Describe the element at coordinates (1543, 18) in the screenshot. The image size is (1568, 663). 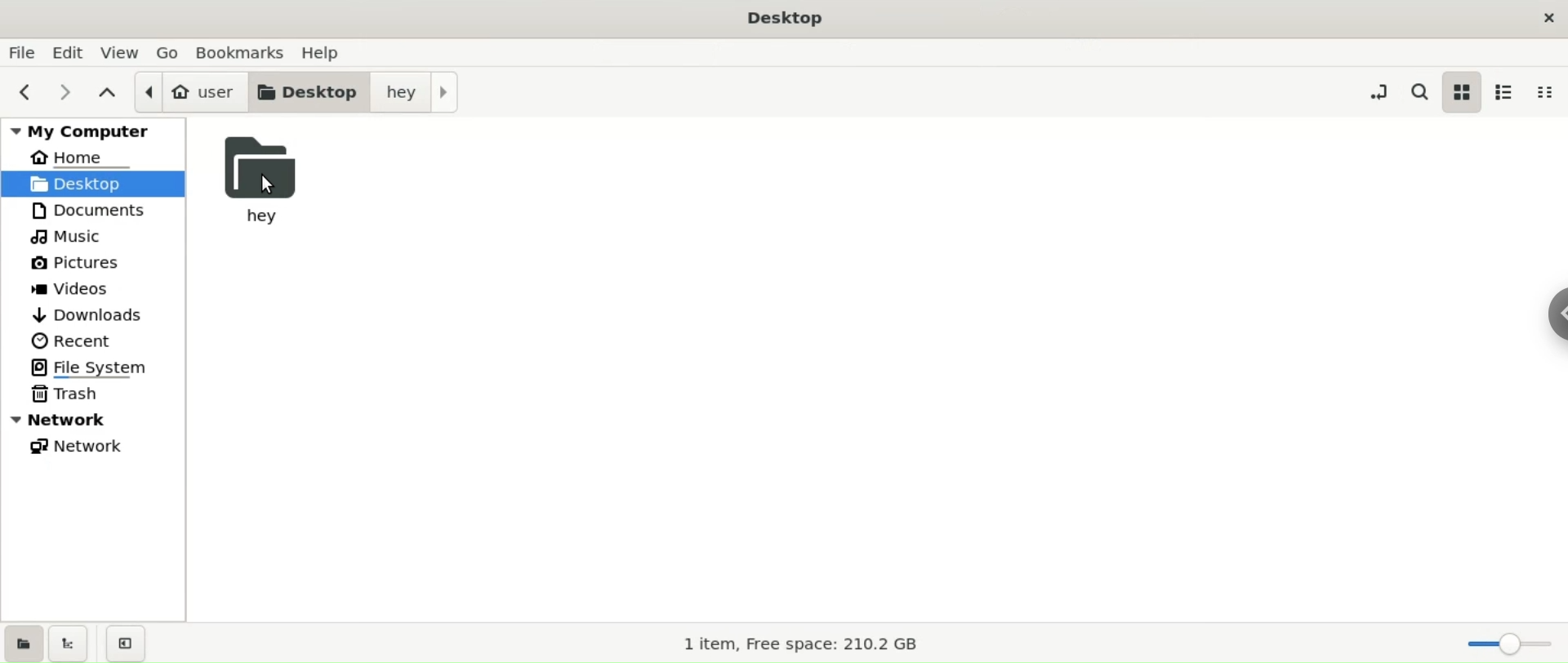
I see `close` at that location.